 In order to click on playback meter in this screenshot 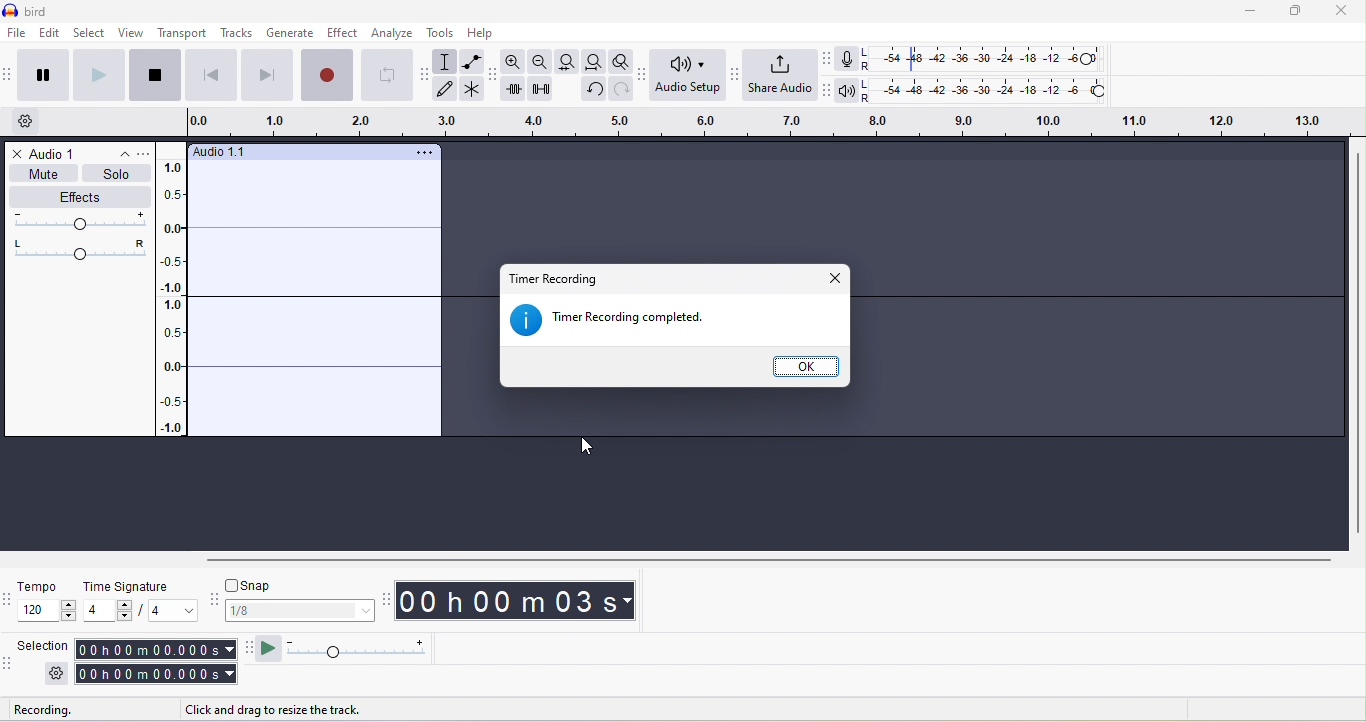, I will do `click(847, 94)`.